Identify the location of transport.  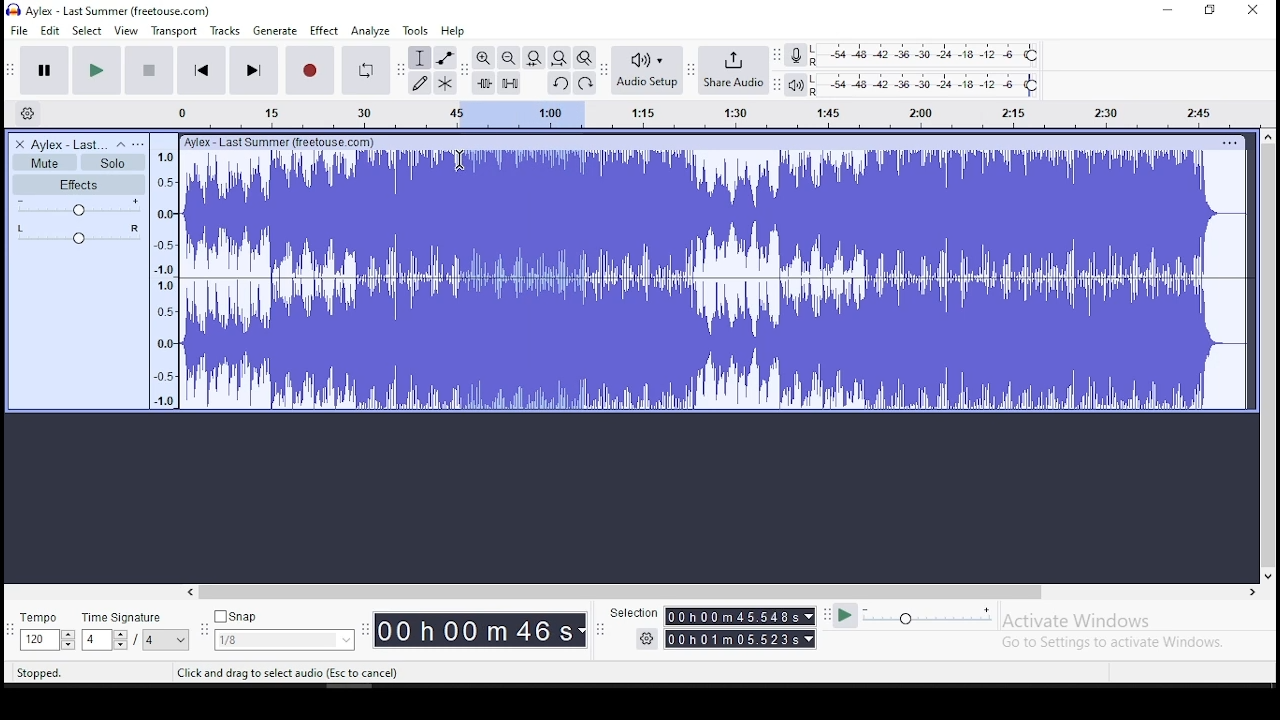
(173, 30).